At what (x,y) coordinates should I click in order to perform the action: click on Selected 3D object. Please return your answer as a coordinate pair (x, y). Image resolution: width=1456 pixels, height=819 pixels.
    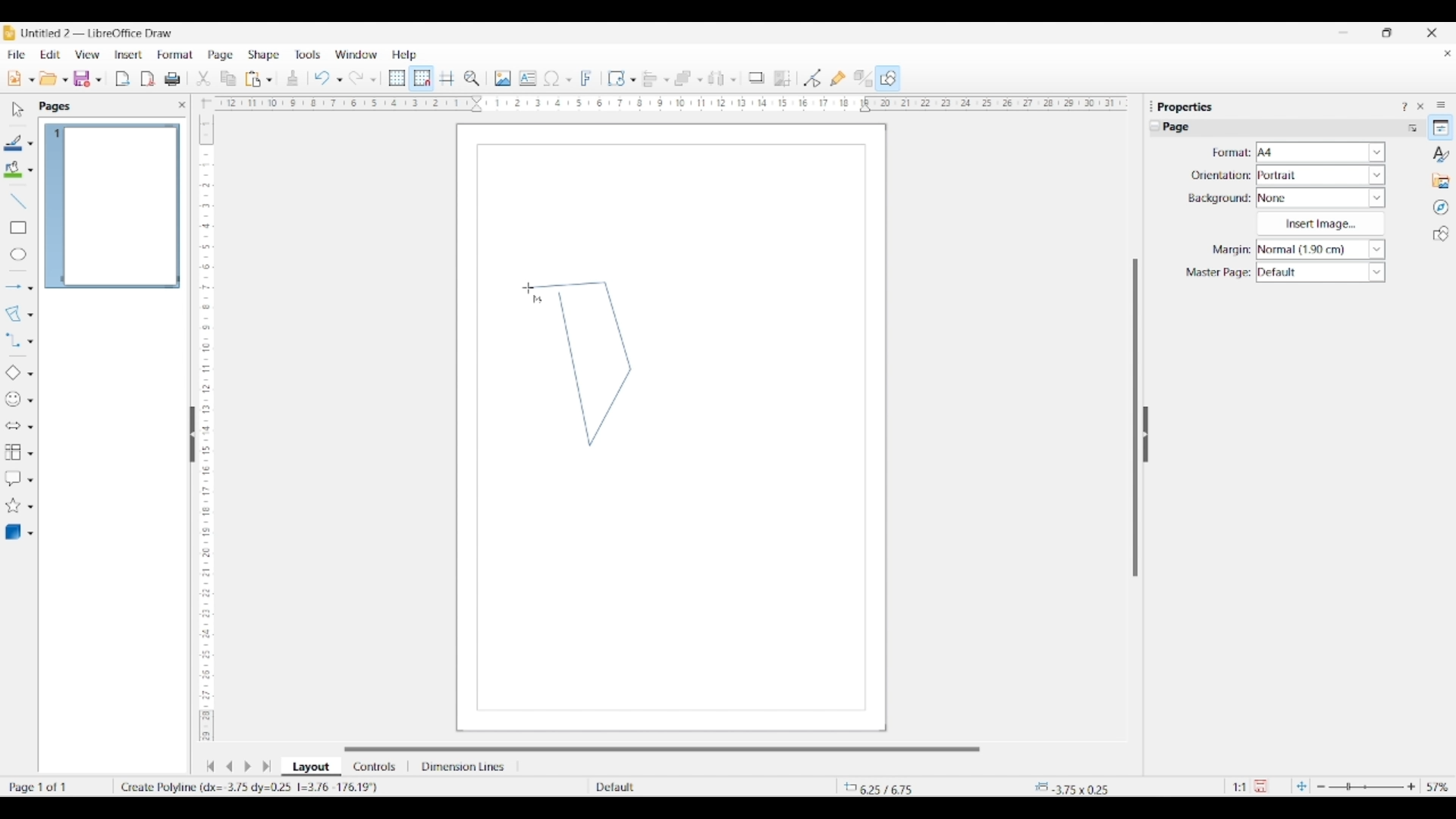
    Looking at the image, I should click on (13, 532).